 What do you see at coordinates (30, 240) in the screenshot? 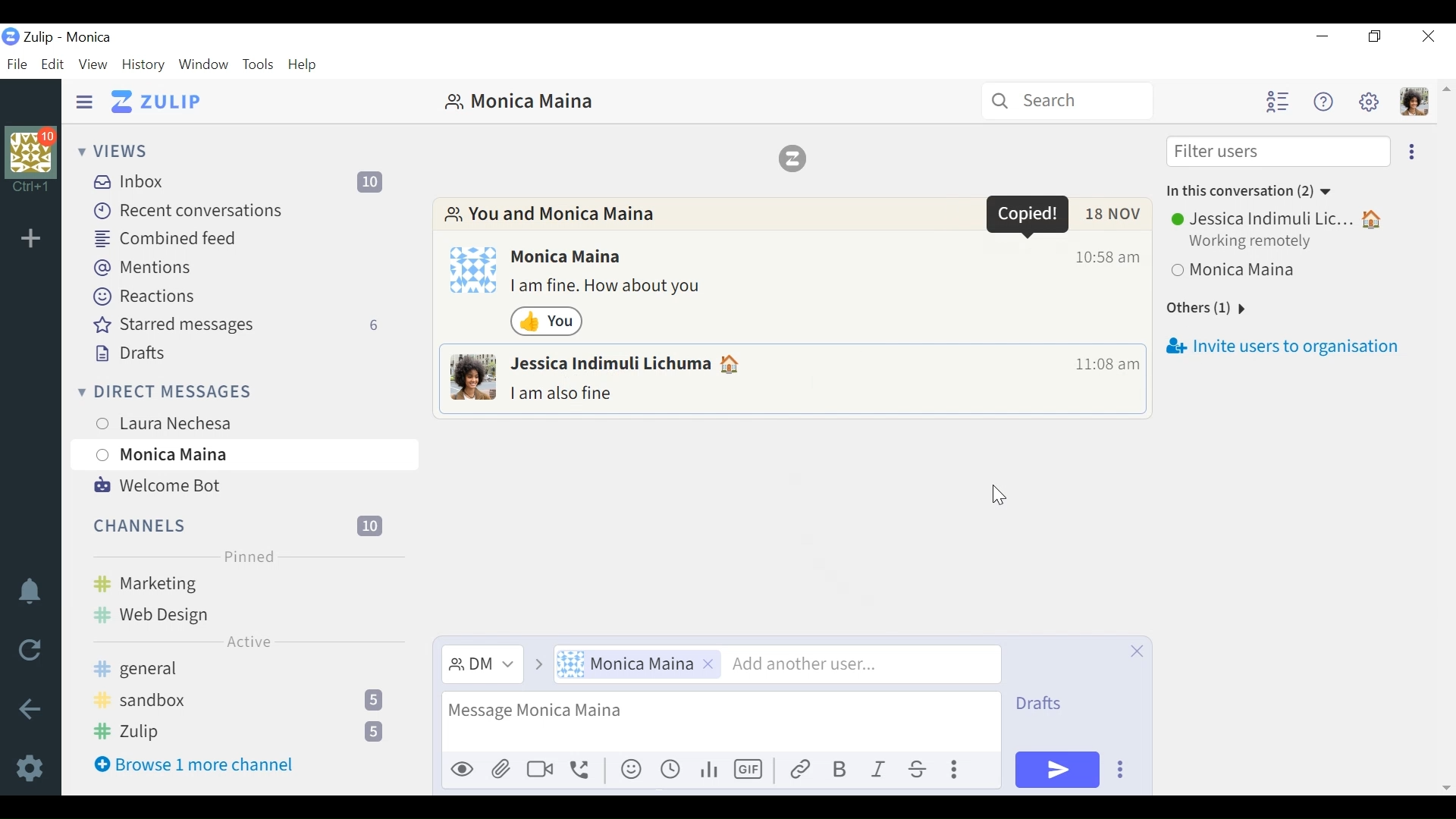
I see `Add Organization` at bounding box center [30, 240].